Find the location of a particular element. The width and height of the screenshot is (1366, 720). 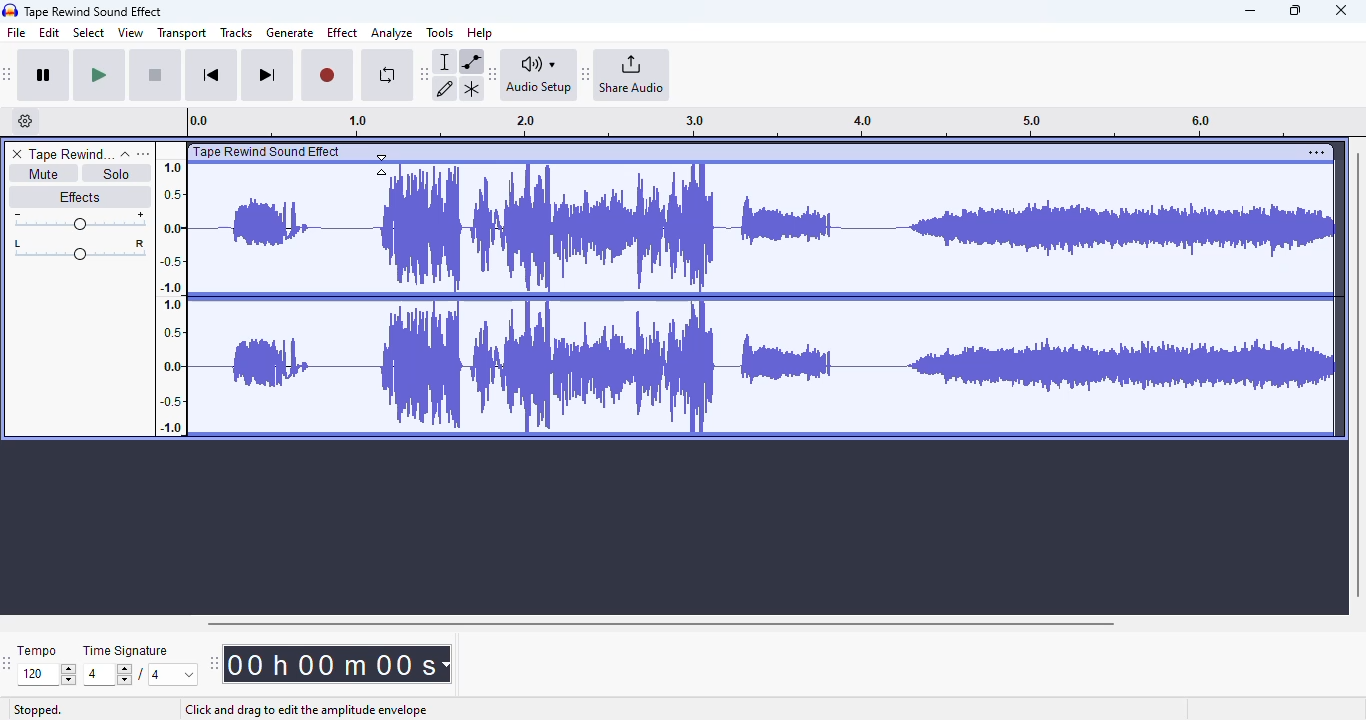

multi-tool is located at coordinates (471, 89).